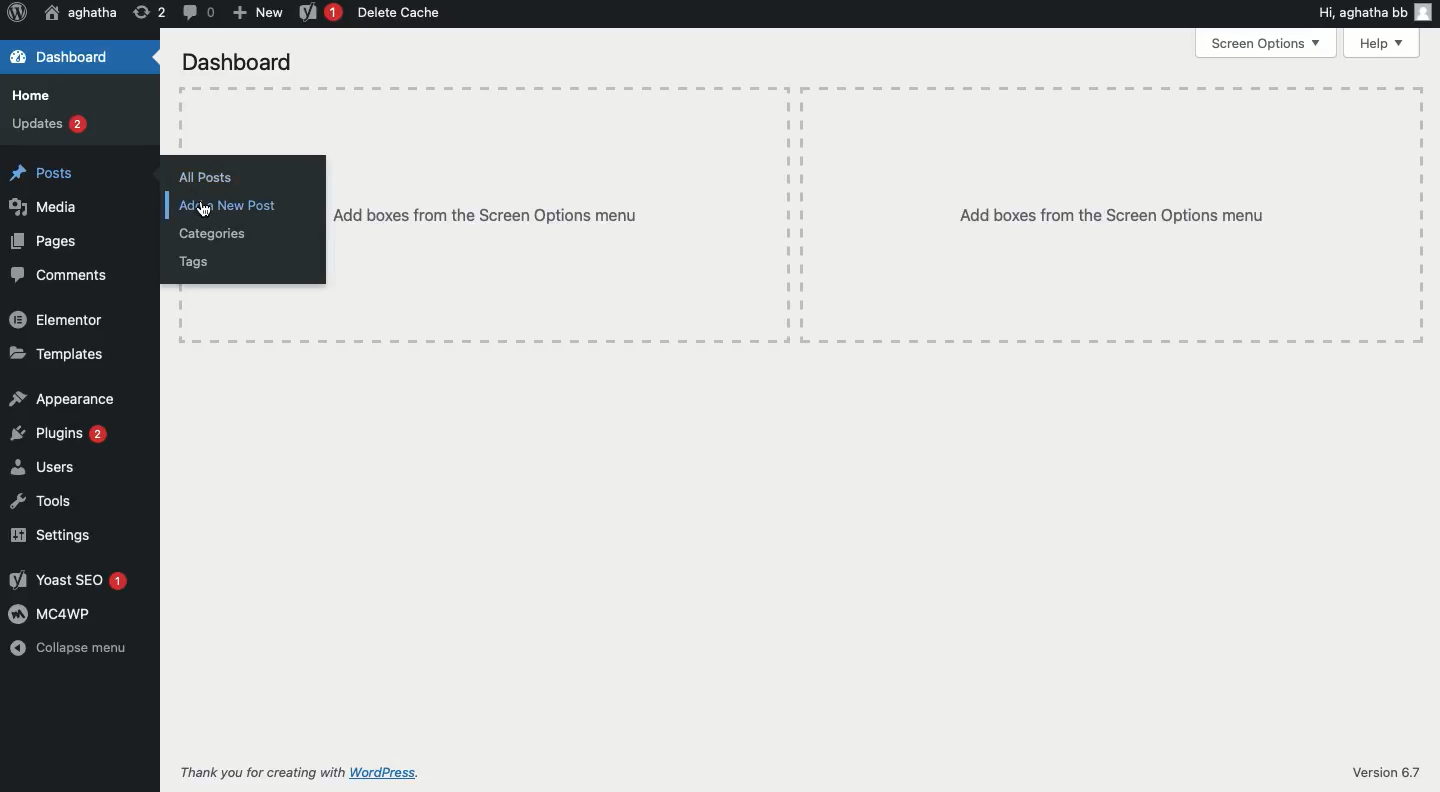 The height and width of the screenshot is (792, 1440). What do you see at coordinates (51, 535) in the screenshot?
I see `Settings` at bounding box center [51, 535].